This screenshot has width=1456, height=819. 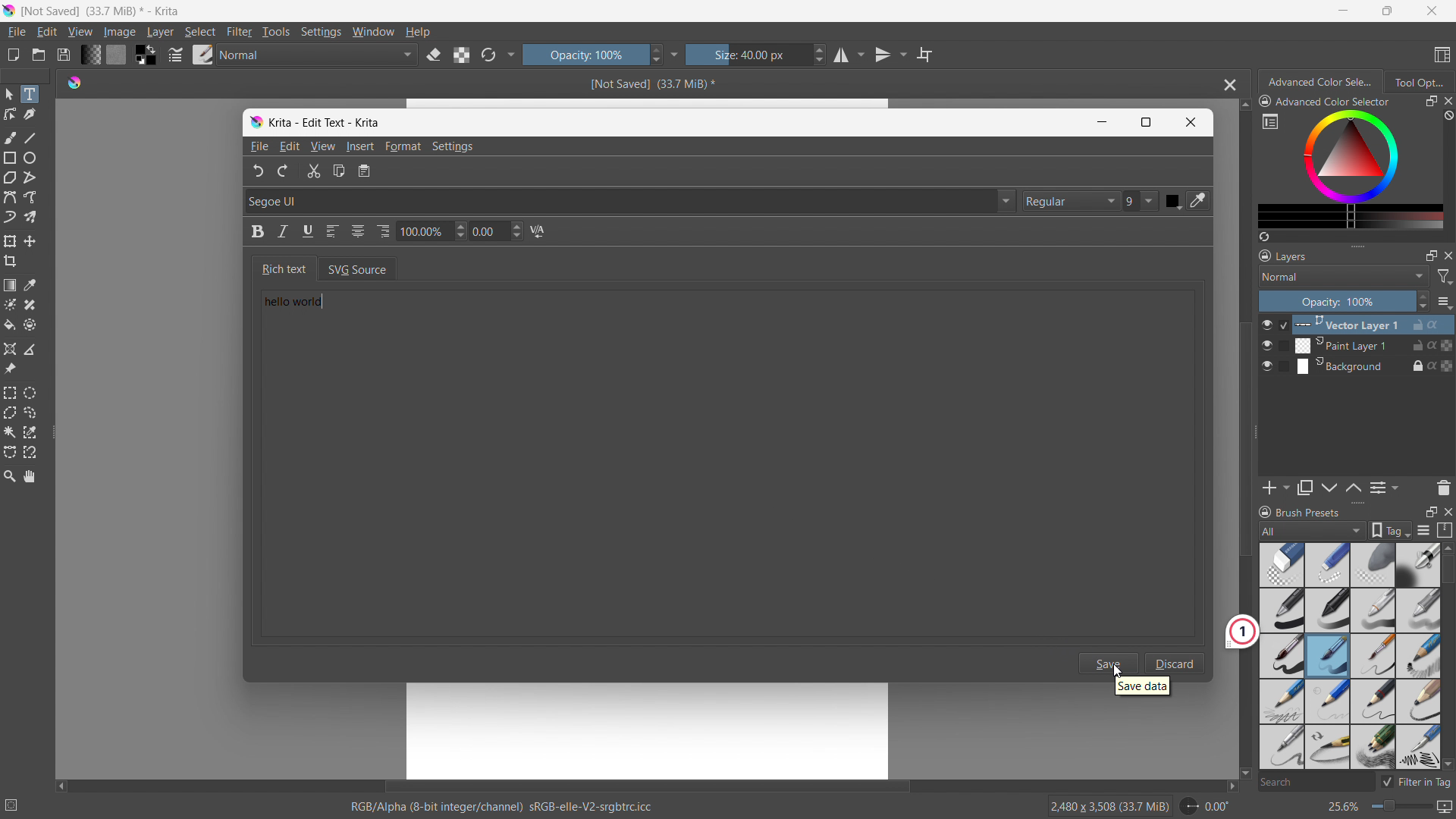 What do you see at coordinates (1447, 116) in the screenshot?
I see `clear all color history` at bounding box center [1447, 116].